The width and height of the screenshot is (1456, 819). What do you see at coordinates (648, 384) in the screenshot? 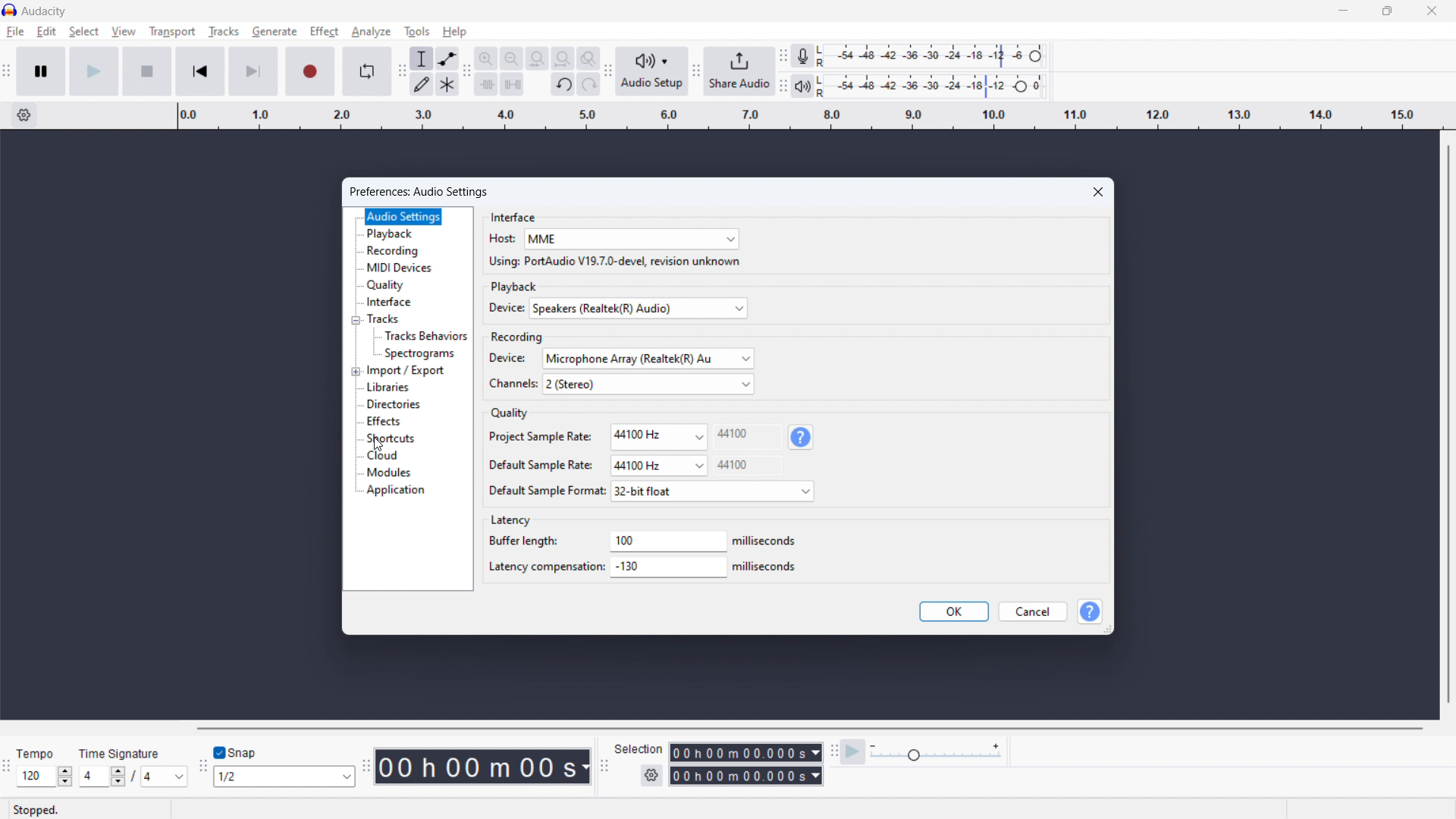
I see `channels` at bounding box center [648, 384].